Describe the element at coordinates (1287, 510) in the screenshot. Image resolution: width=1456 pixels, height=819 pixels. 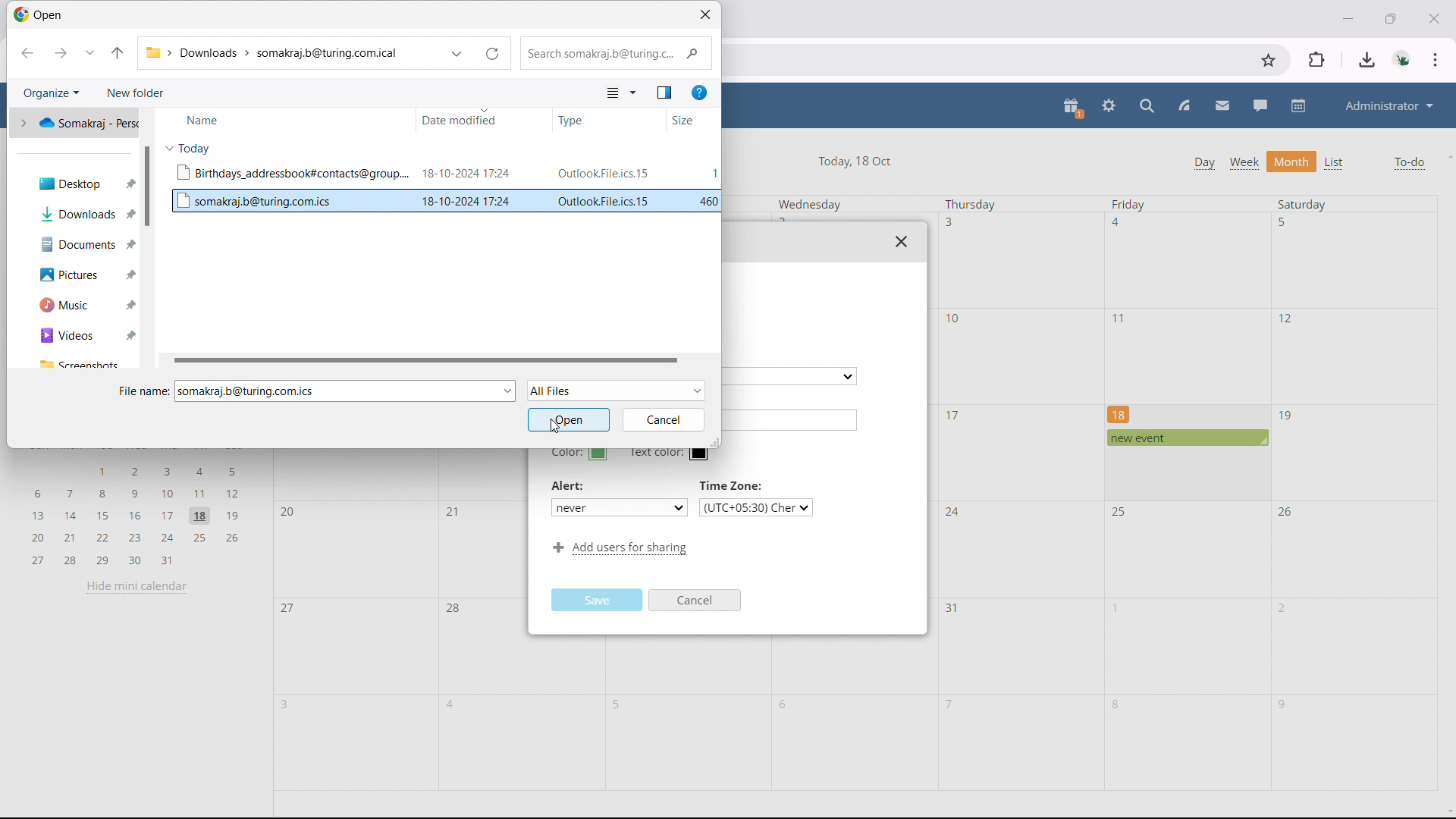
I see `26` at that location.